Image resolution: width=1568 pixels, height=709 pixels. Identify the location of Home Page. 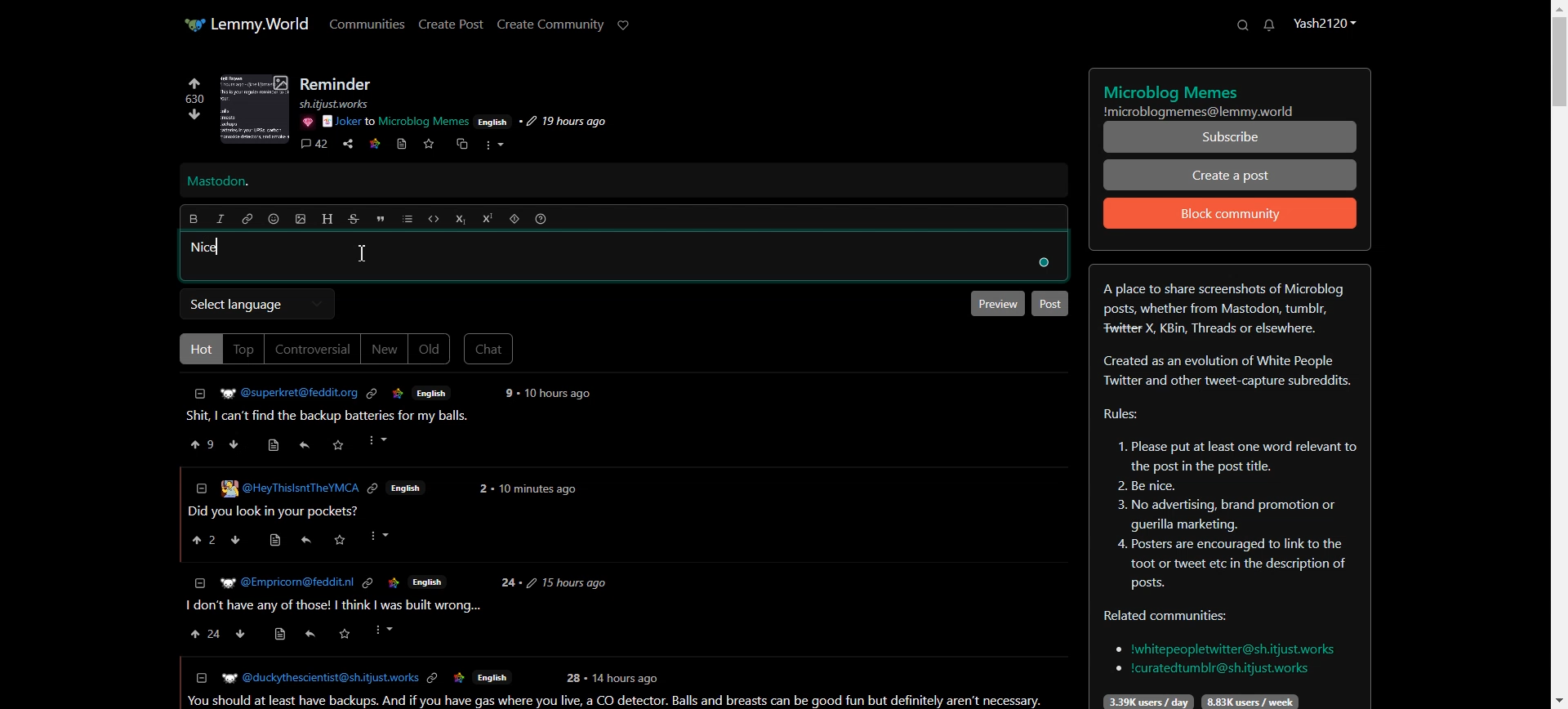
(246, 24).